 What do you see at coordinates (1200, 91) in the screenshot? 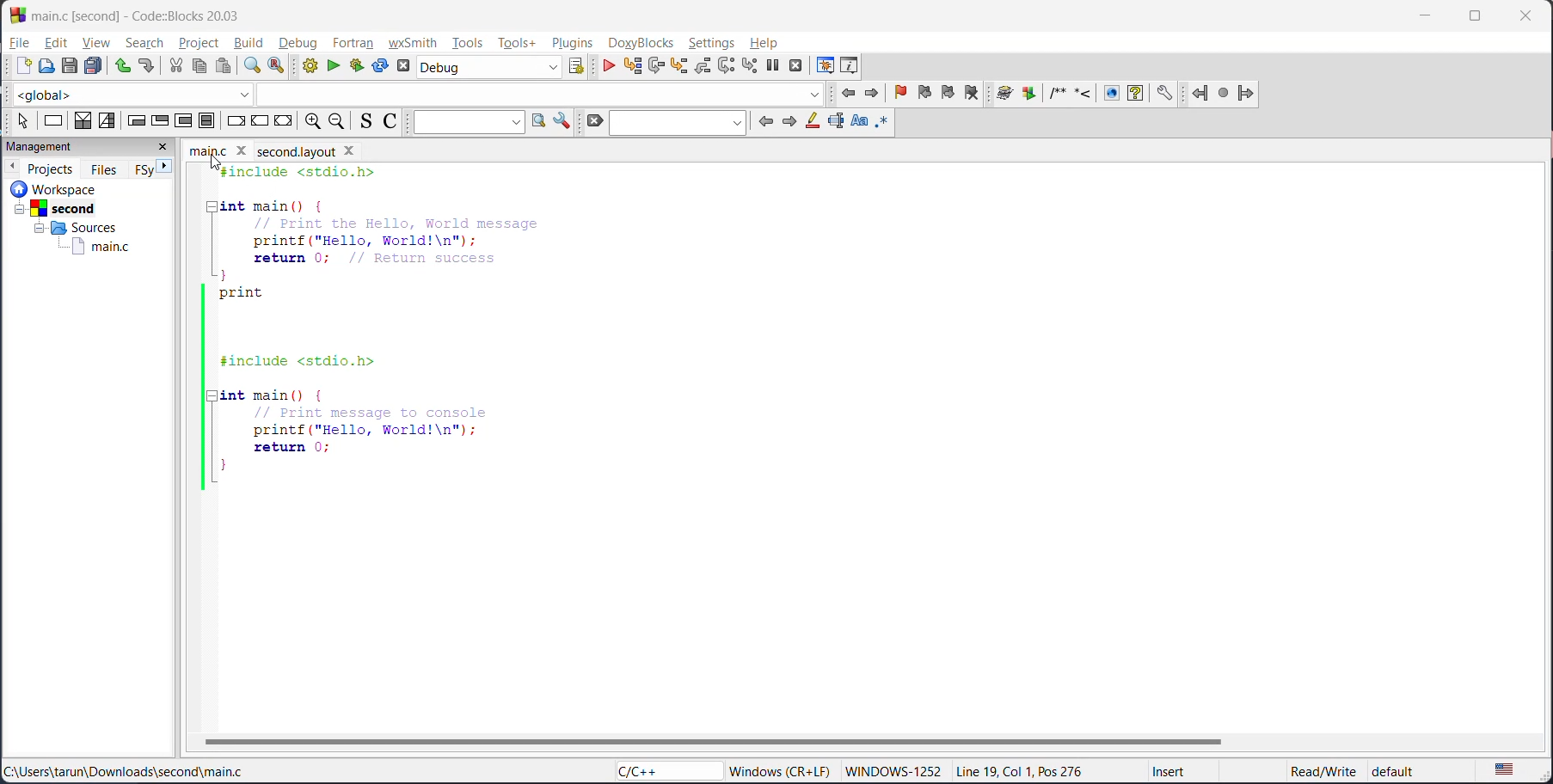
I see `jump backword` at bounding box center [1200, 91].